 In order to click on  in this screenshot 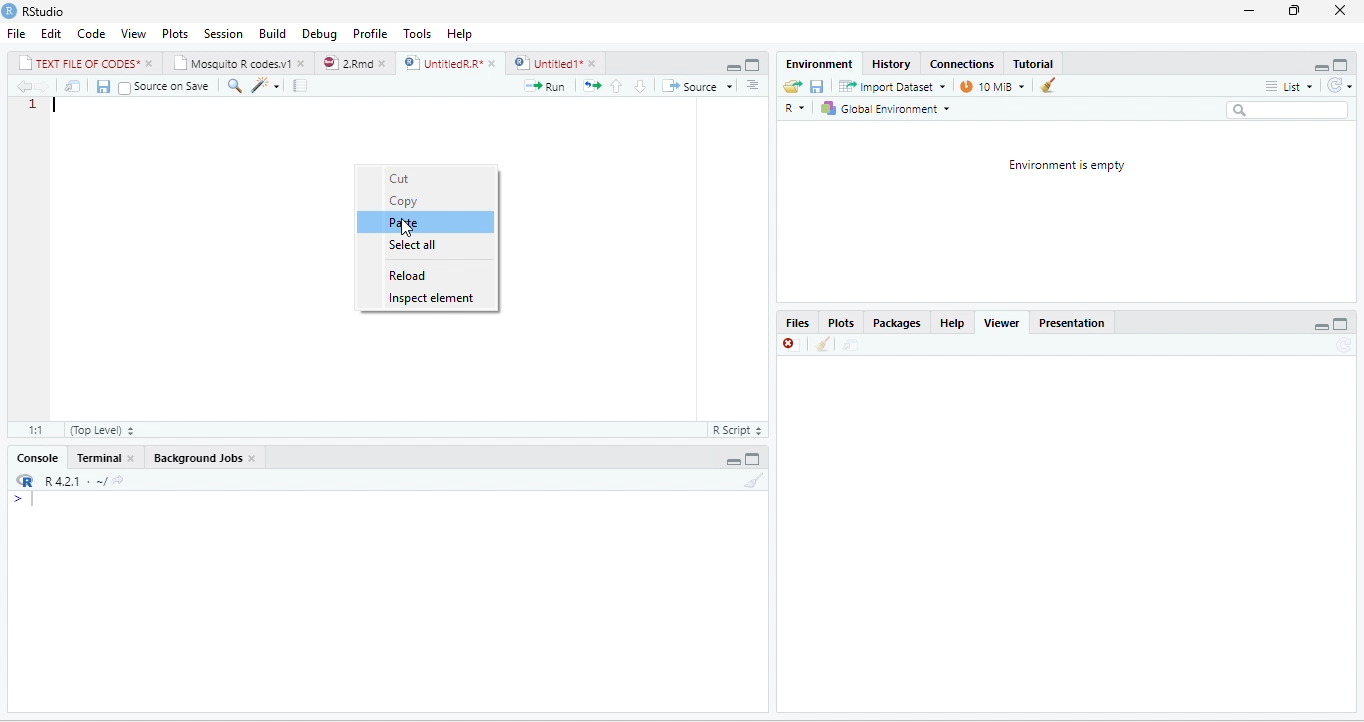, I will do `click(268, 32)`.